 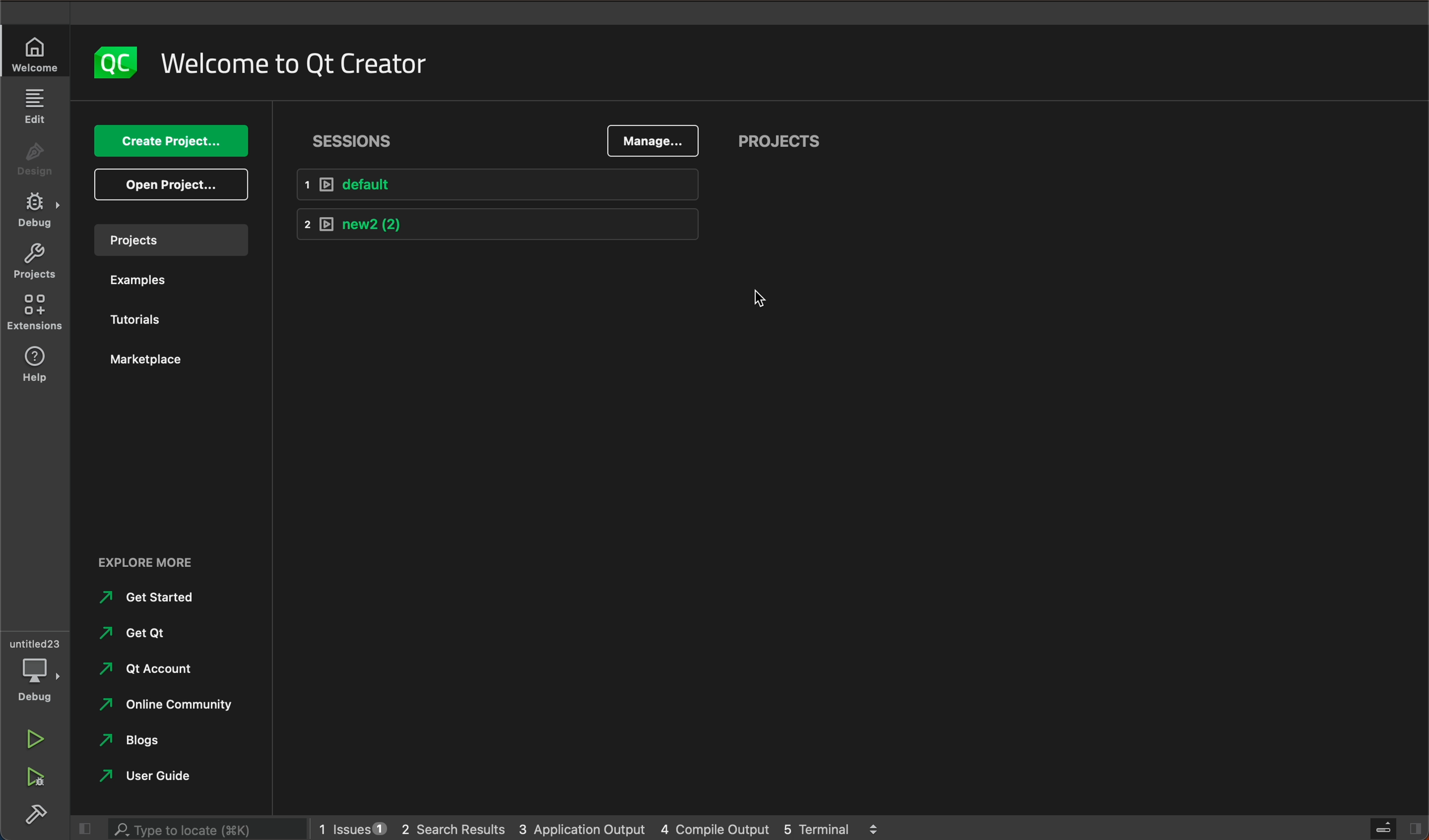 What do you see at coordinates (157, 599) in the screenshot?
I see ` Get Started` at bounding box center [157, 599].